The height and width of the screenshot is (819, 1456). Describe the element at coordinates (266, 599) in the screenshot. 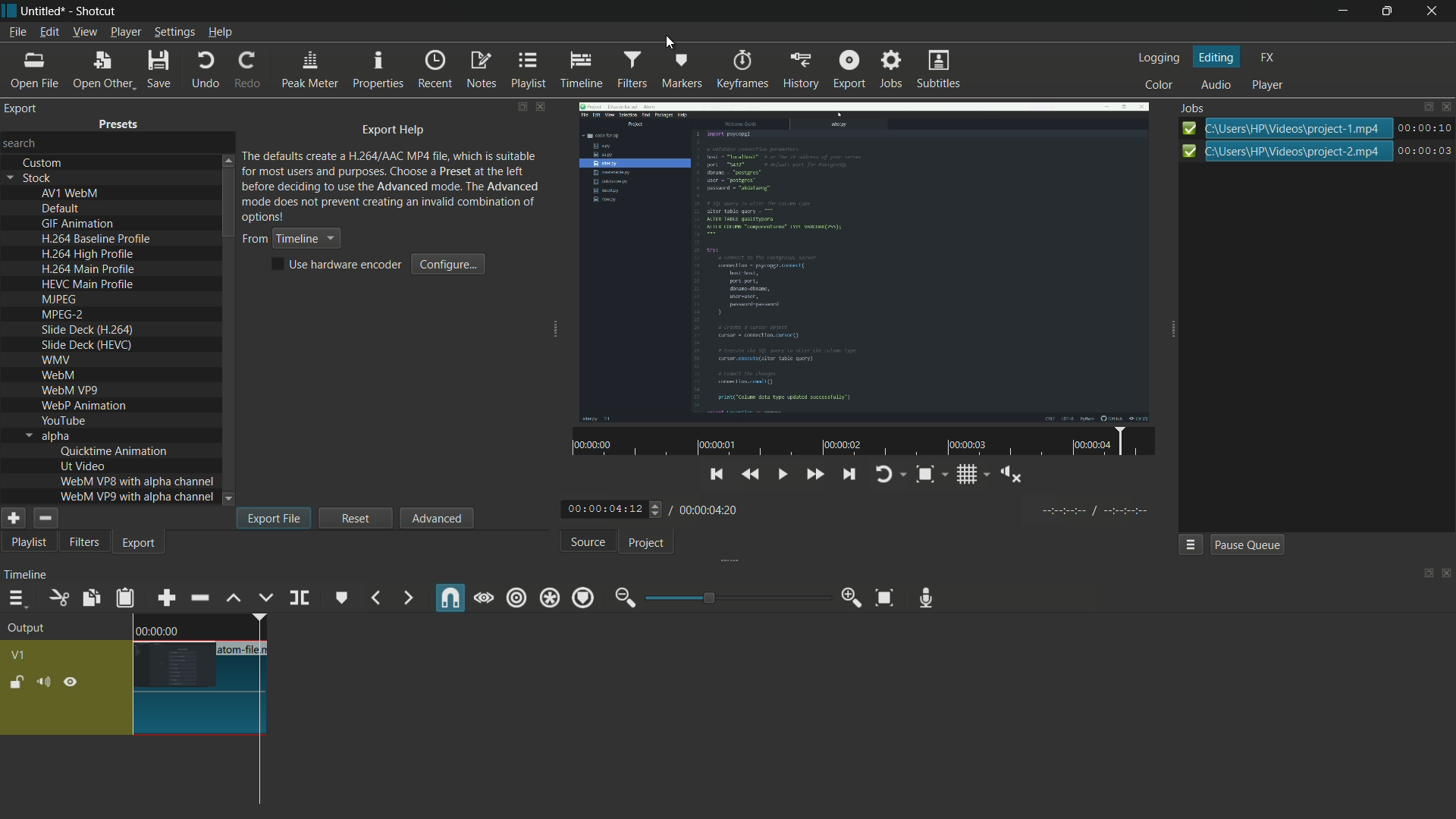

I see `overwrite` at that location.